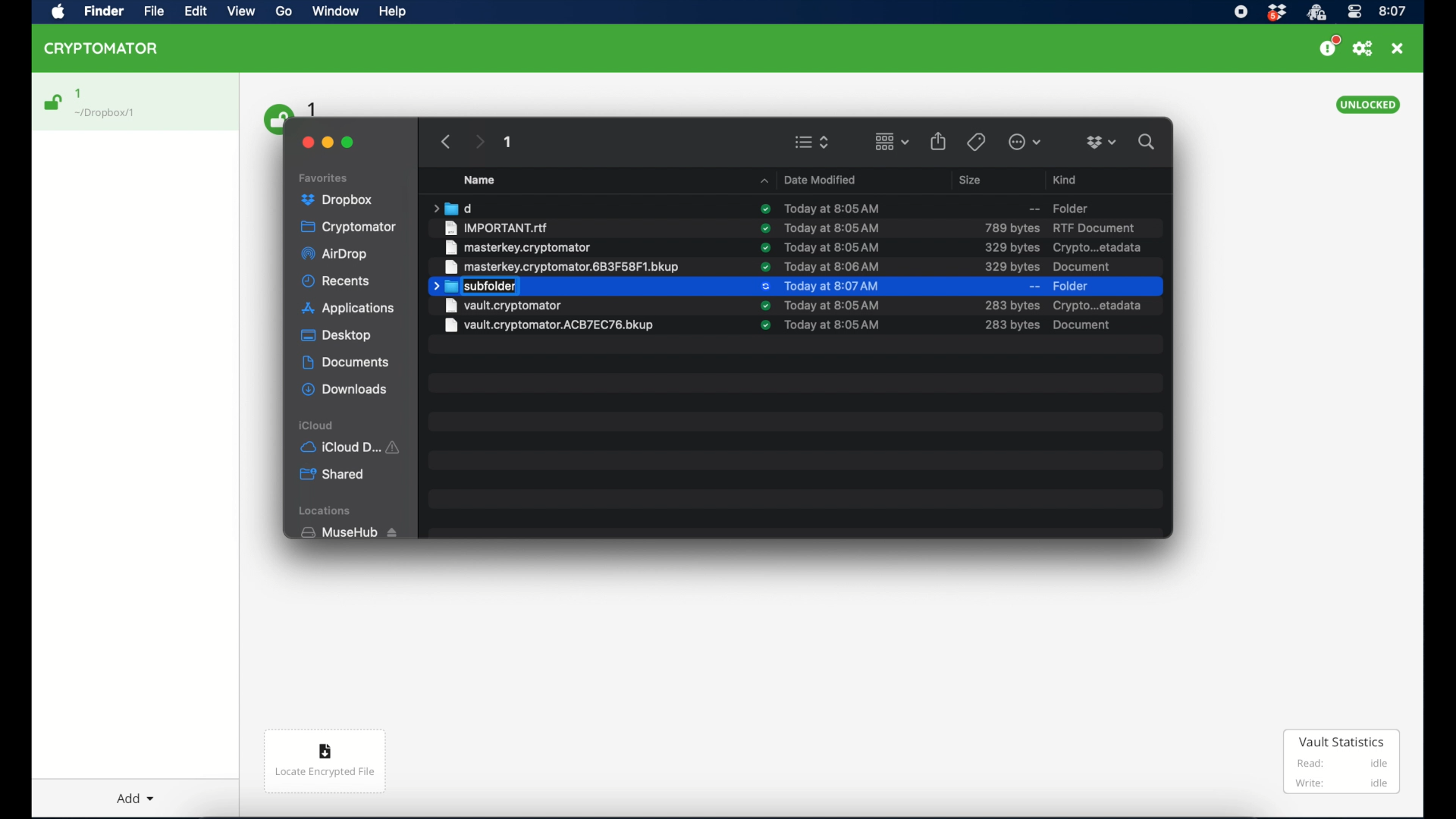 The width and height of the screenshot is (1456, 819). What do you see at coordinates (833, 305) in the screenshot?
I see `date` at bounding box center [833, 305].